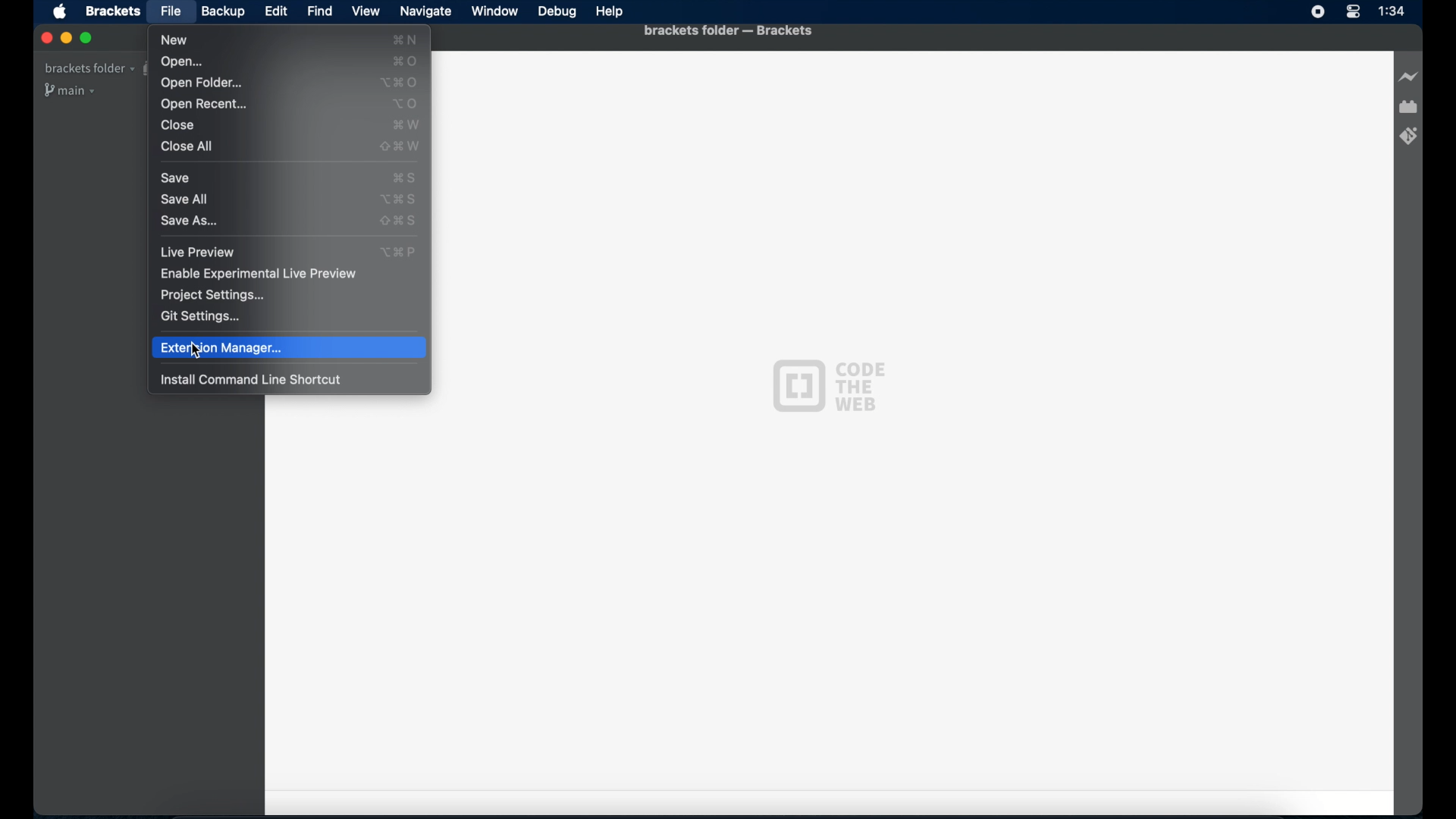  I want to click on new shortcut, so click(405, 39).